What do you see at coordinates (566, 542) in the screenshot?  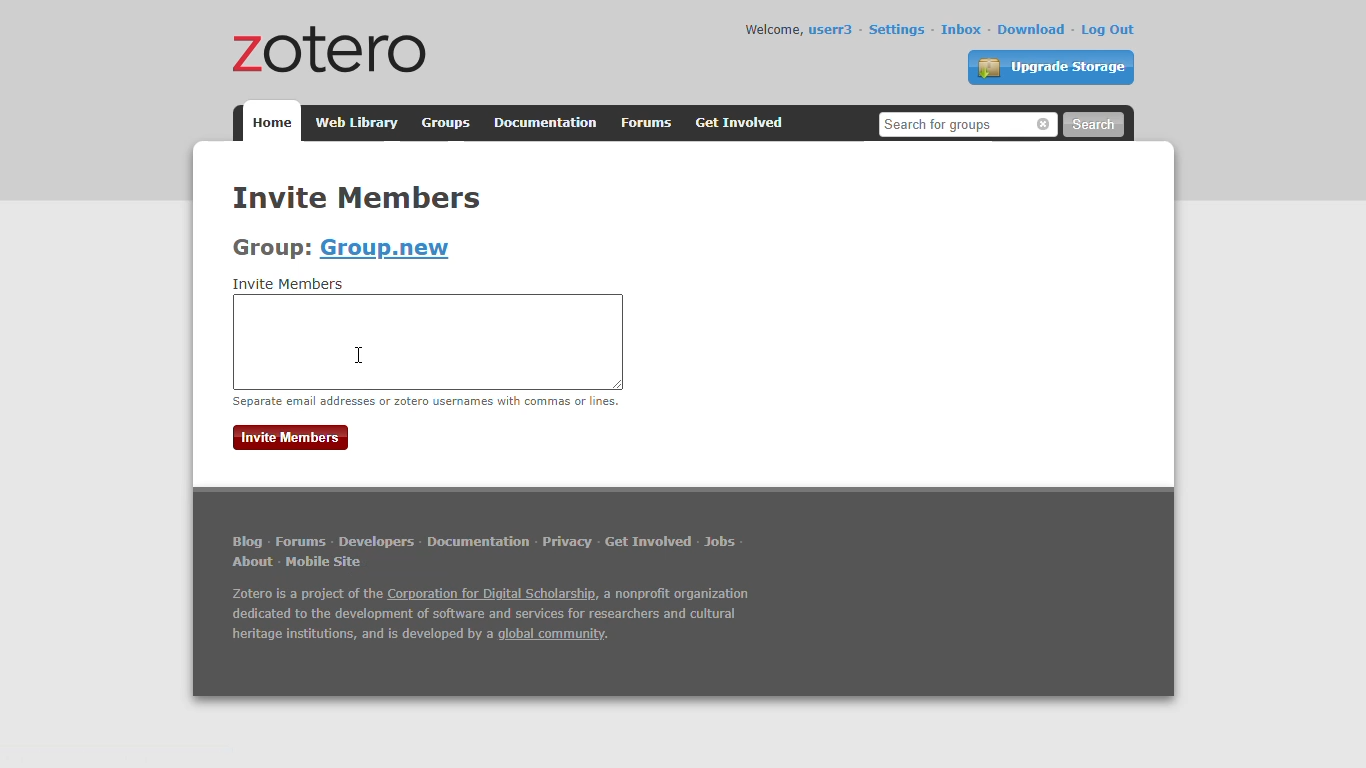 I see `privacy` at bounding box center [566, 542].